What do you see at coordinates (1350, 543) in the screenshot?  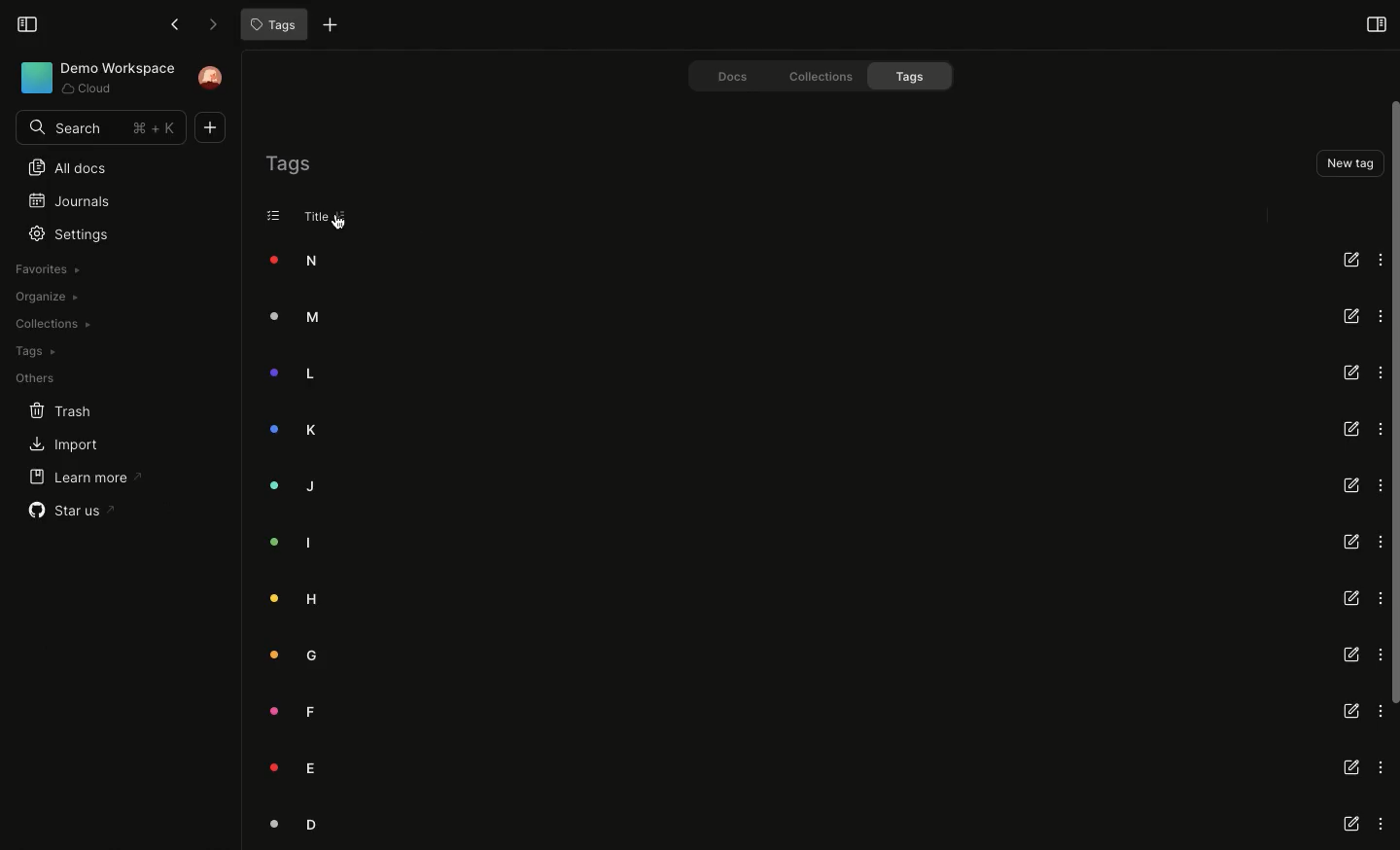 I see `Rename` at bounding box center [1350, 543].